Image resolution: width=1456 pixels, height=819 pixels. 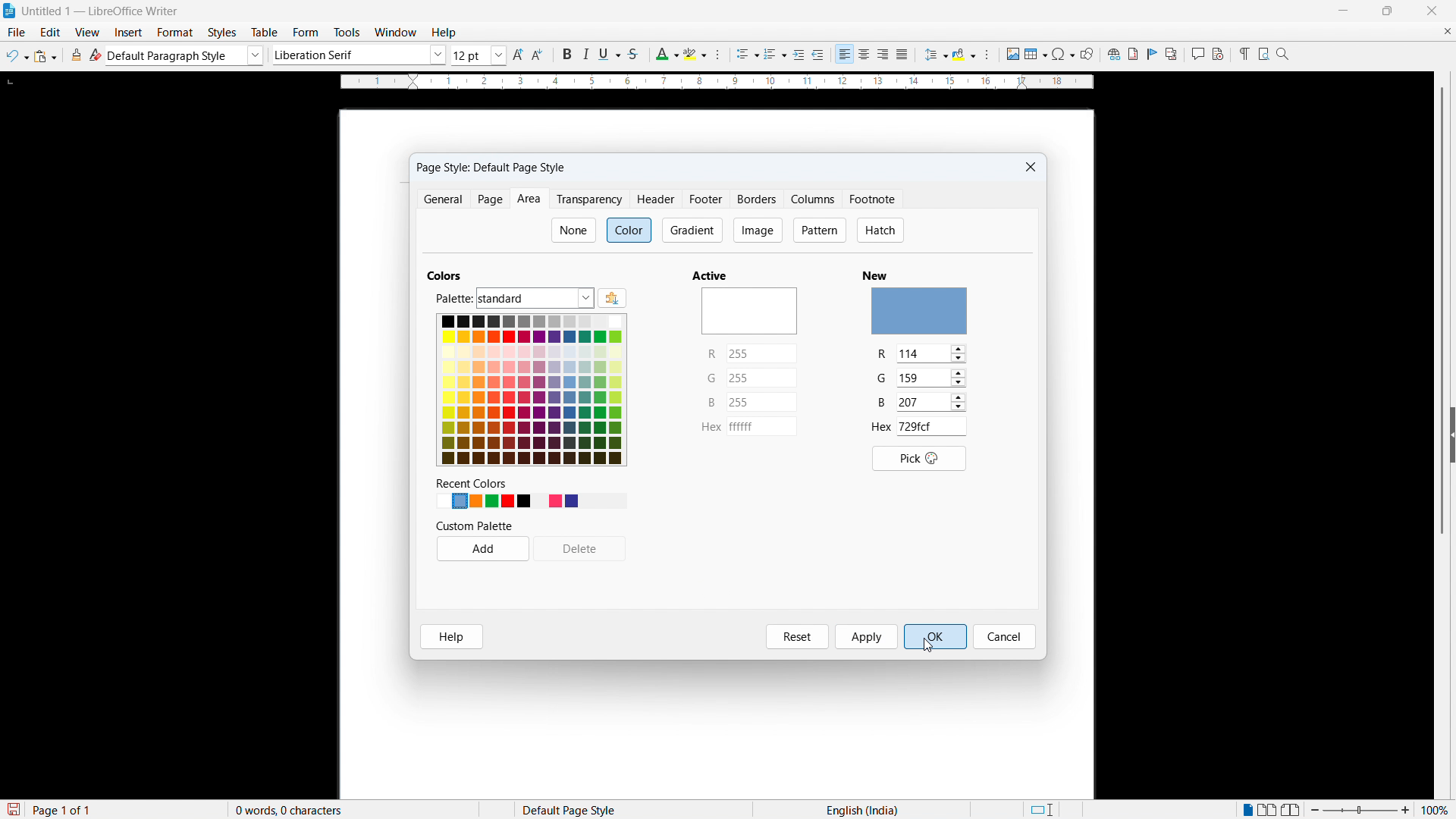 I want to click on Hatch , so click(x=879, y=231).